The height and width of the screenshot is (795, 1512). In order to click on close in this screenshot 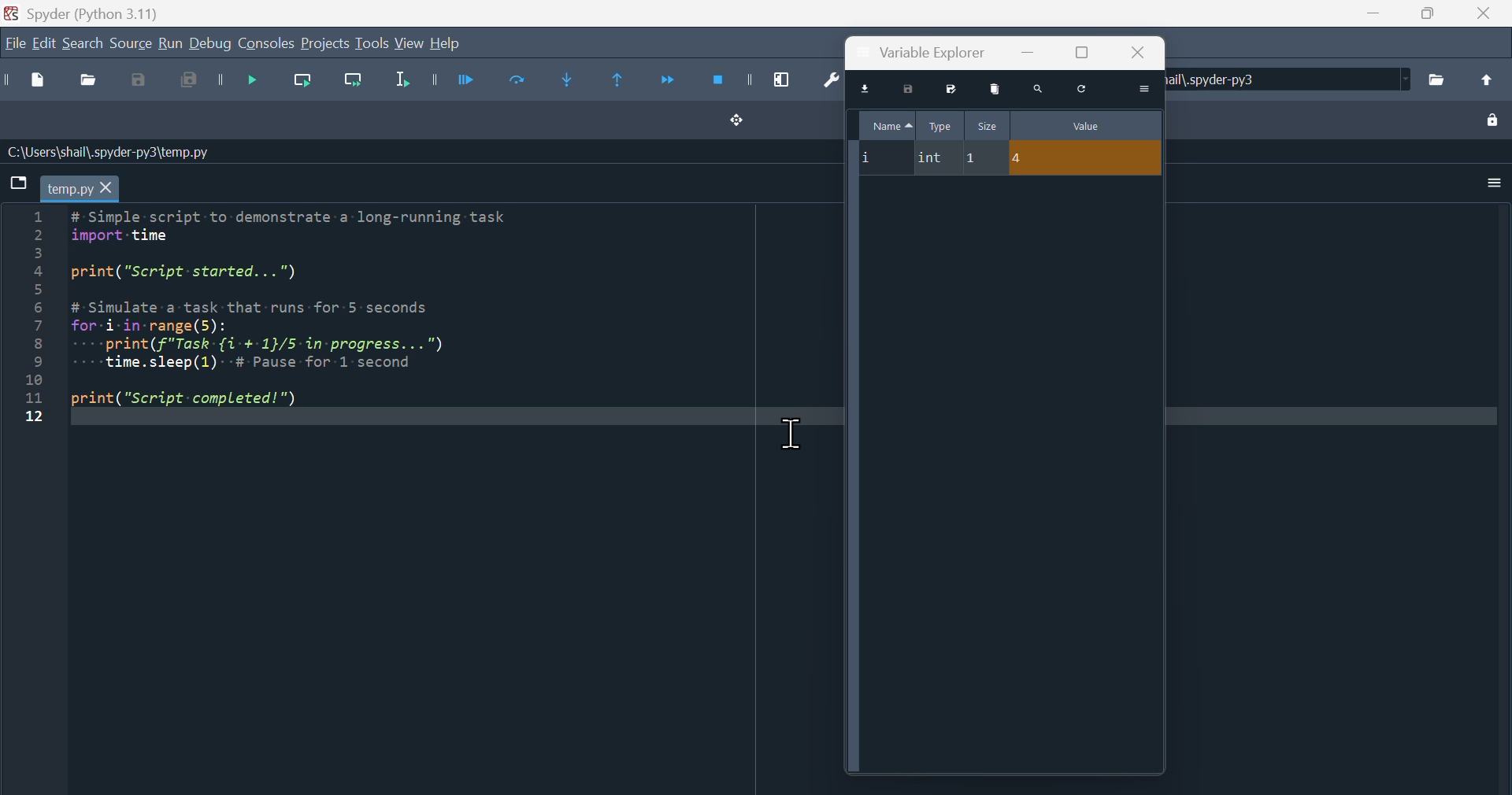, I will do `click(1136, 53)`.